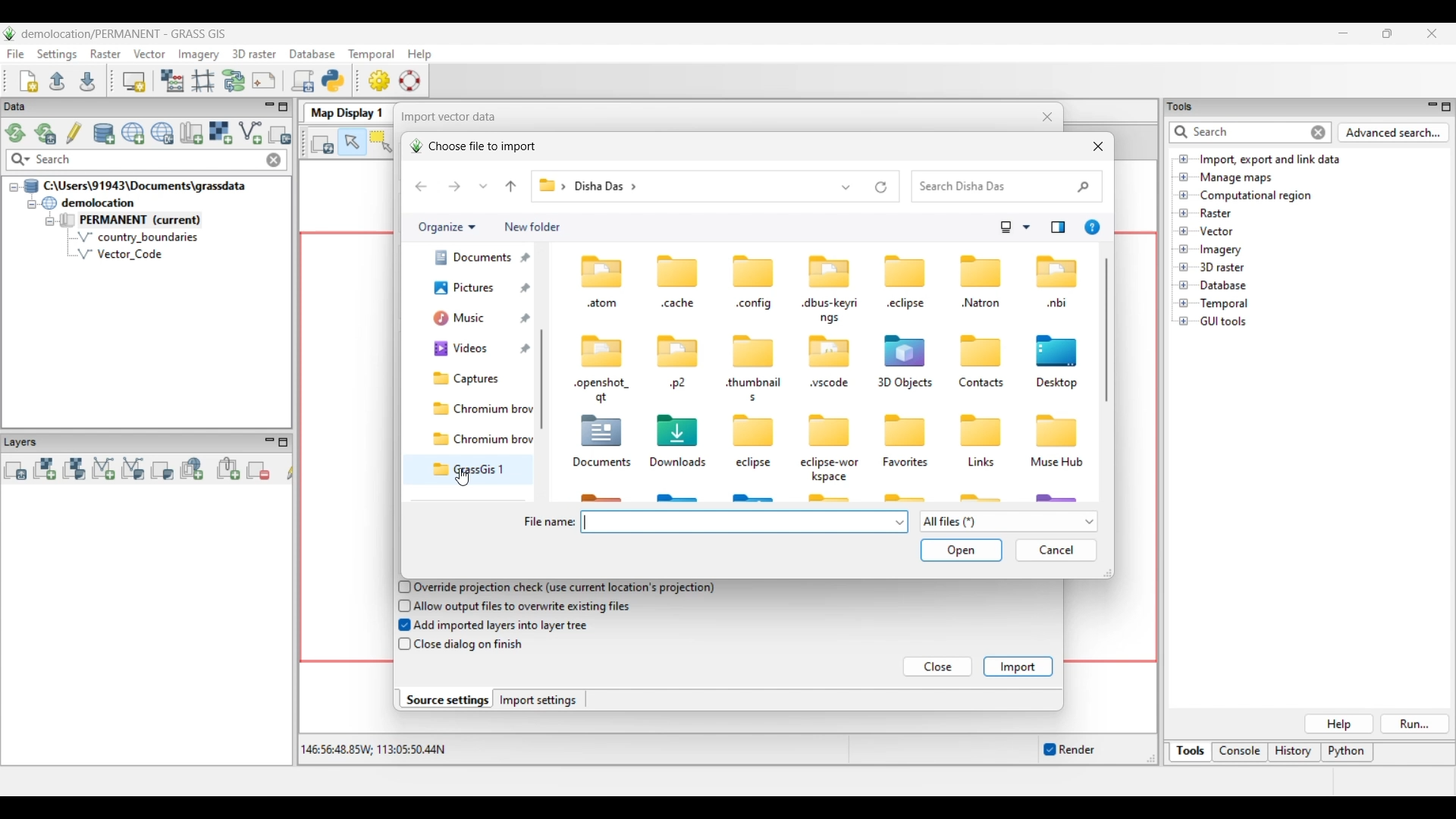 The image size is (1456, 819). What do you see at coordinates (138, 237) in the screenshot?
I see `country_boundaries` at bounding box center [138, 237].